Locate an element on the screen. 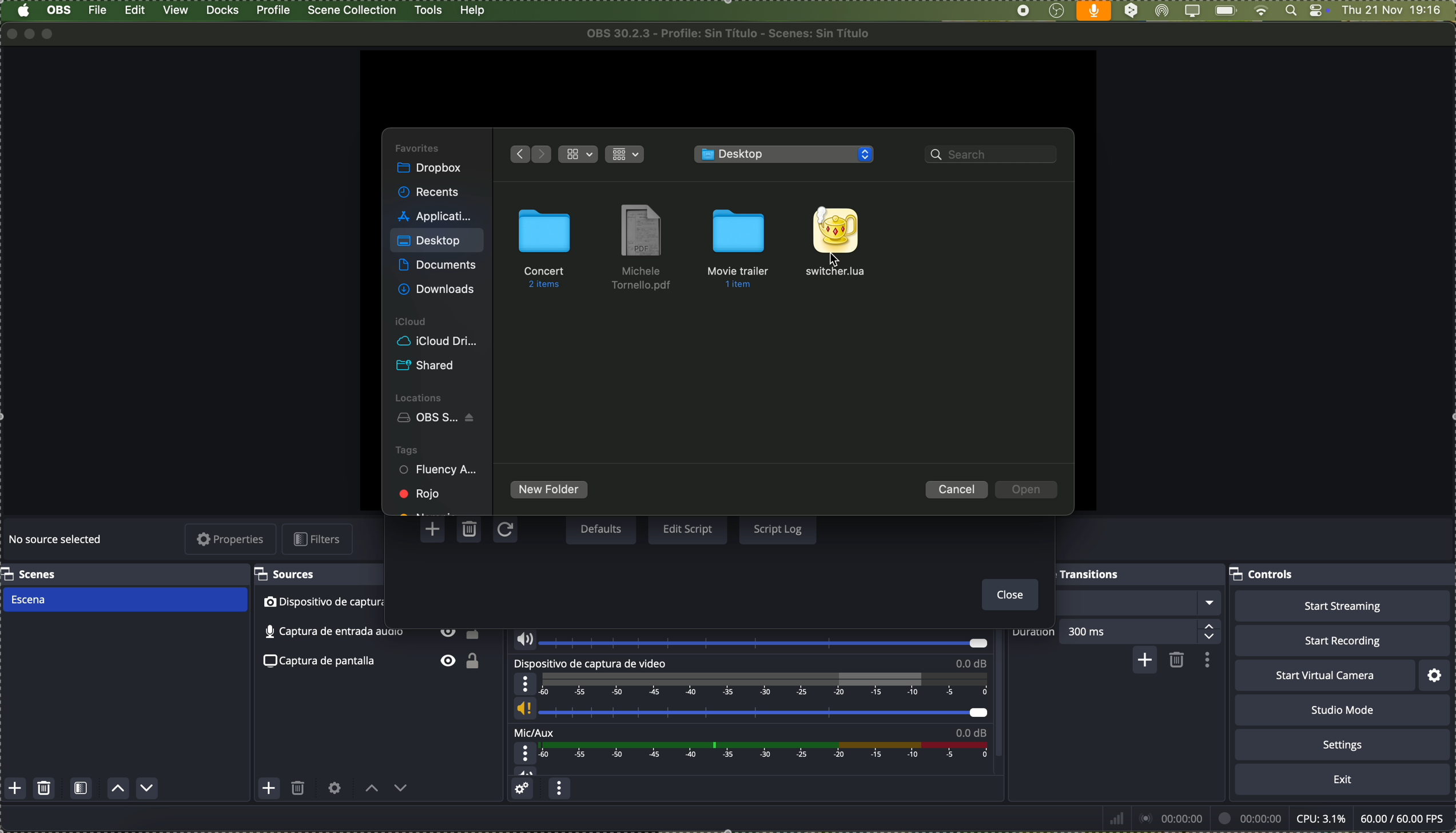 The image size is (1456, 833). wifi is located at coordinates (1261, 11).